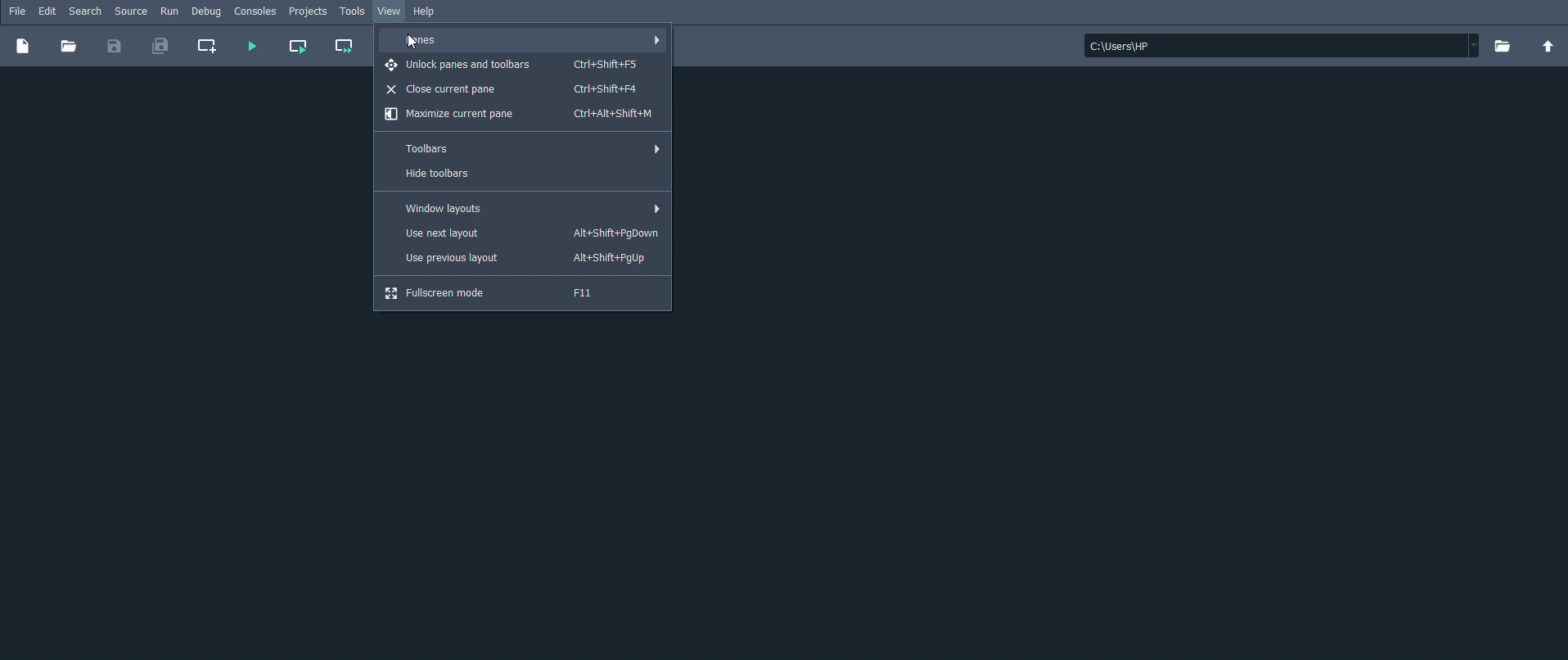 The image size is (1568, 660). What do you see at coordinates (525, 66) in the screenshot?
I see `Unlock panes and toolbars` at bounding box center [525, 66].